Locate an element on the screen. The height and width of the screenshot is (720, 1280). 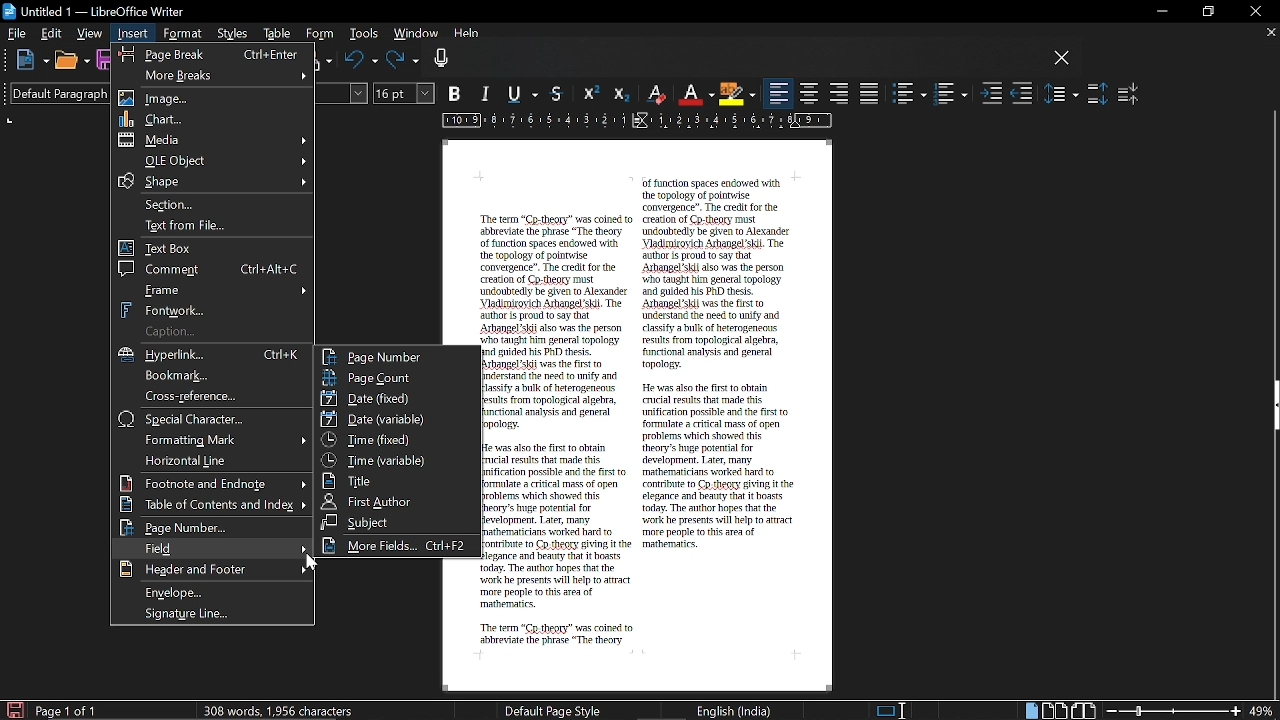
Increase paragraph spacing is located at coordinates (1097, 94).